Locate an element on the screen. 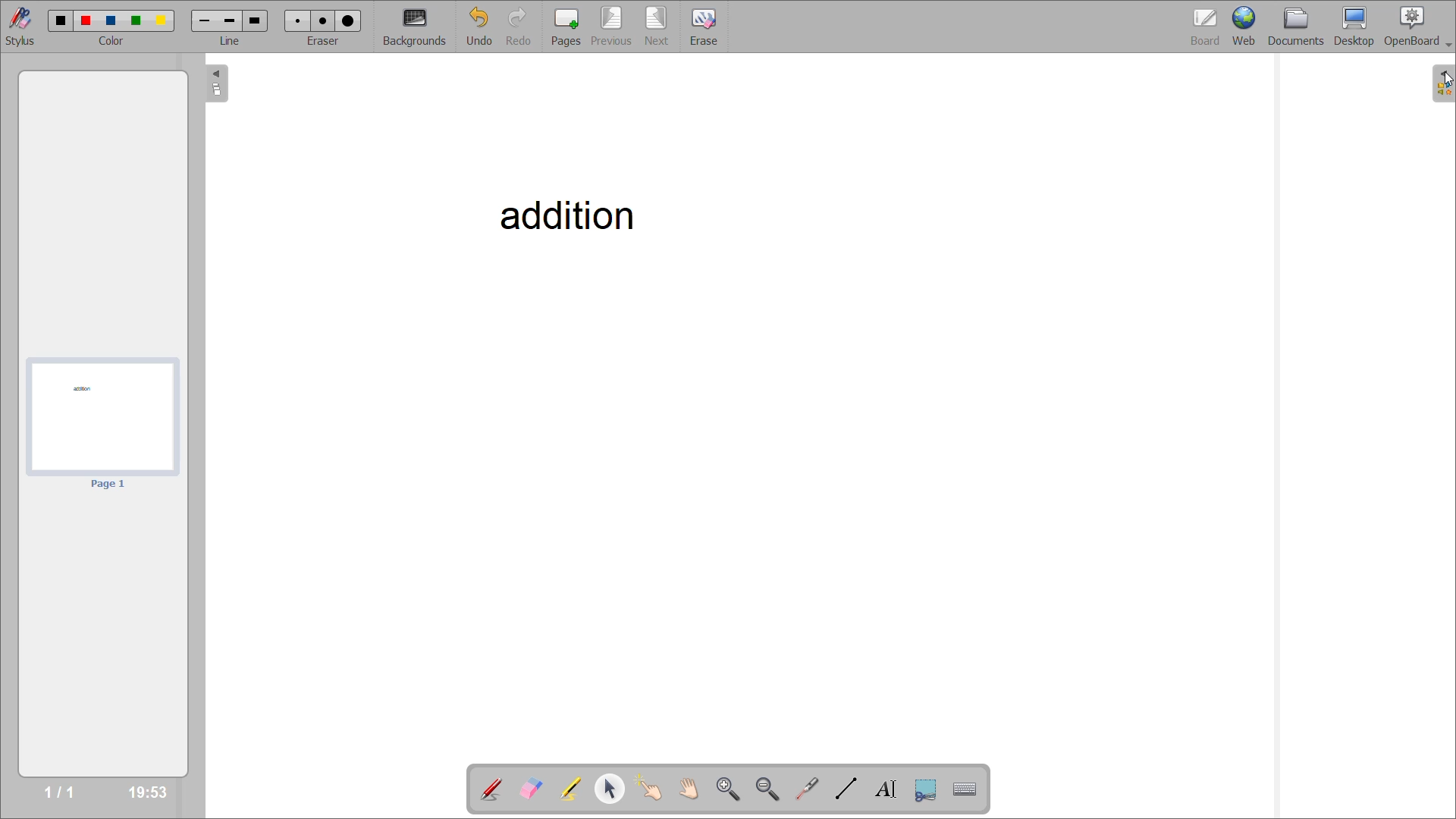 This screenshot has height=819, width=1456. next is located at coordinates (658, 27).